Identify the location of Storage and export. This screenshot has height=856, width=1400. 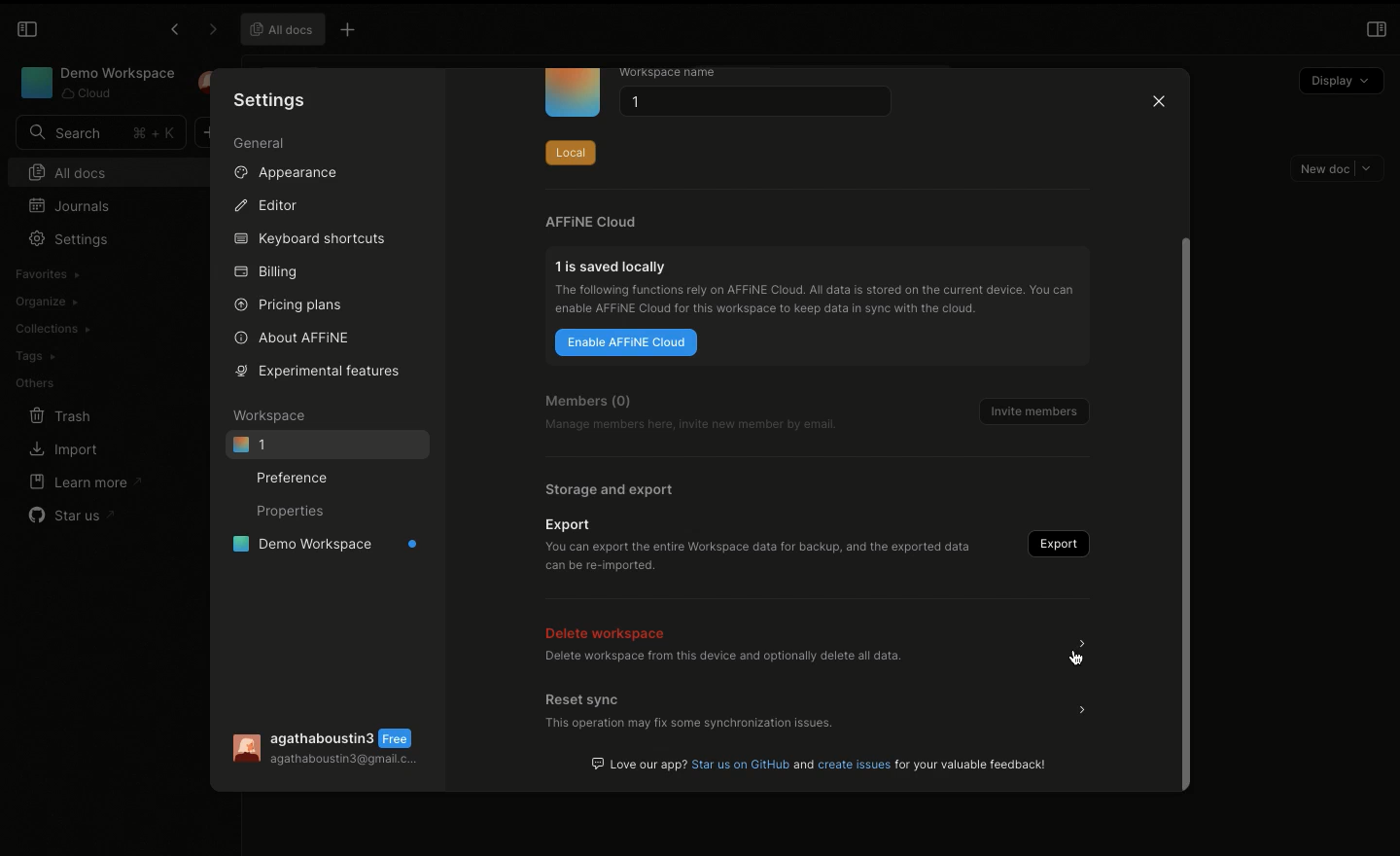
(611, 489).